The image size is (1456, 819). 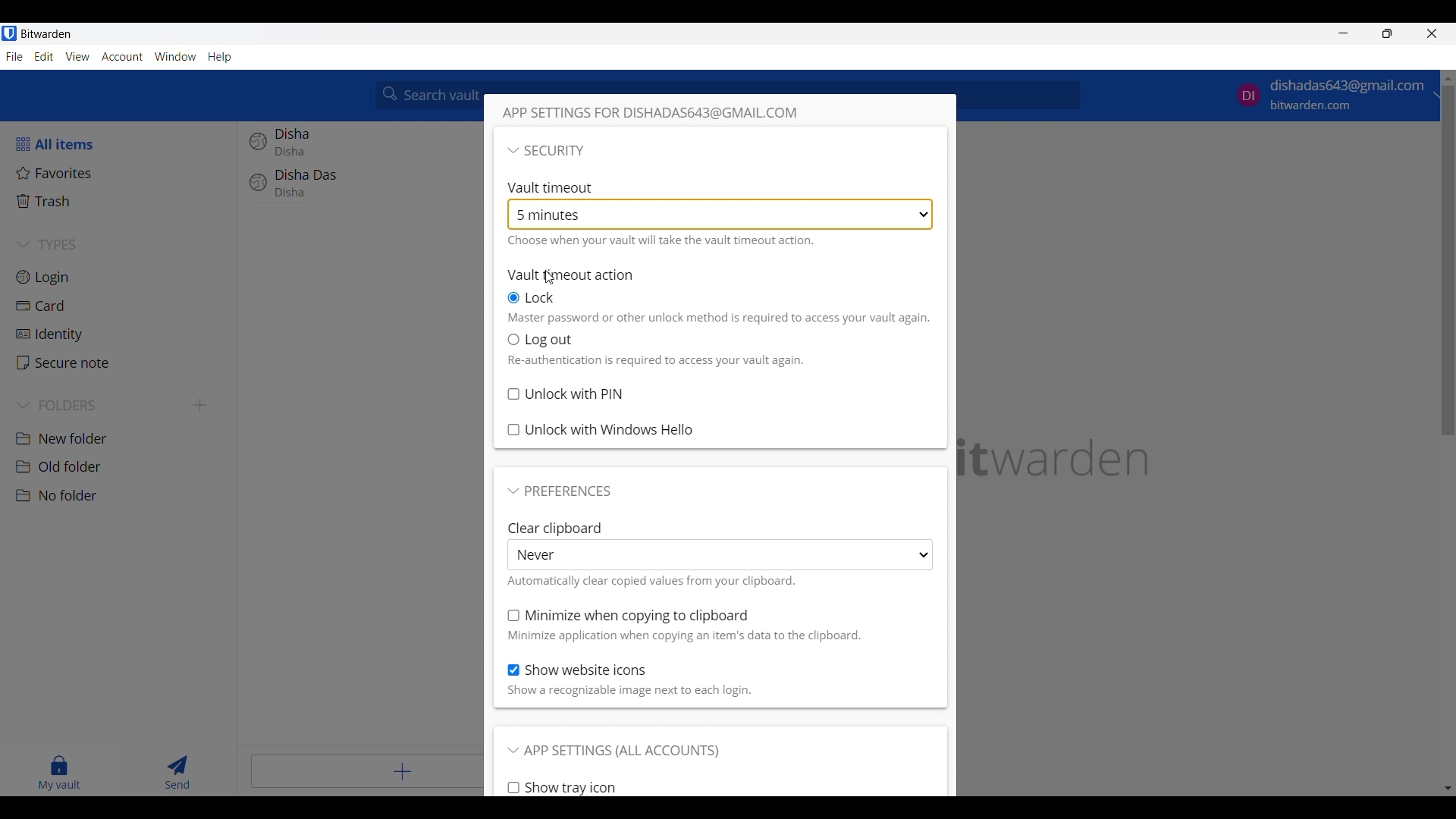 What do you see at coordinates (1332, 96) in the screenshot?
I see ` account options` at bounding box center [1332, 96].